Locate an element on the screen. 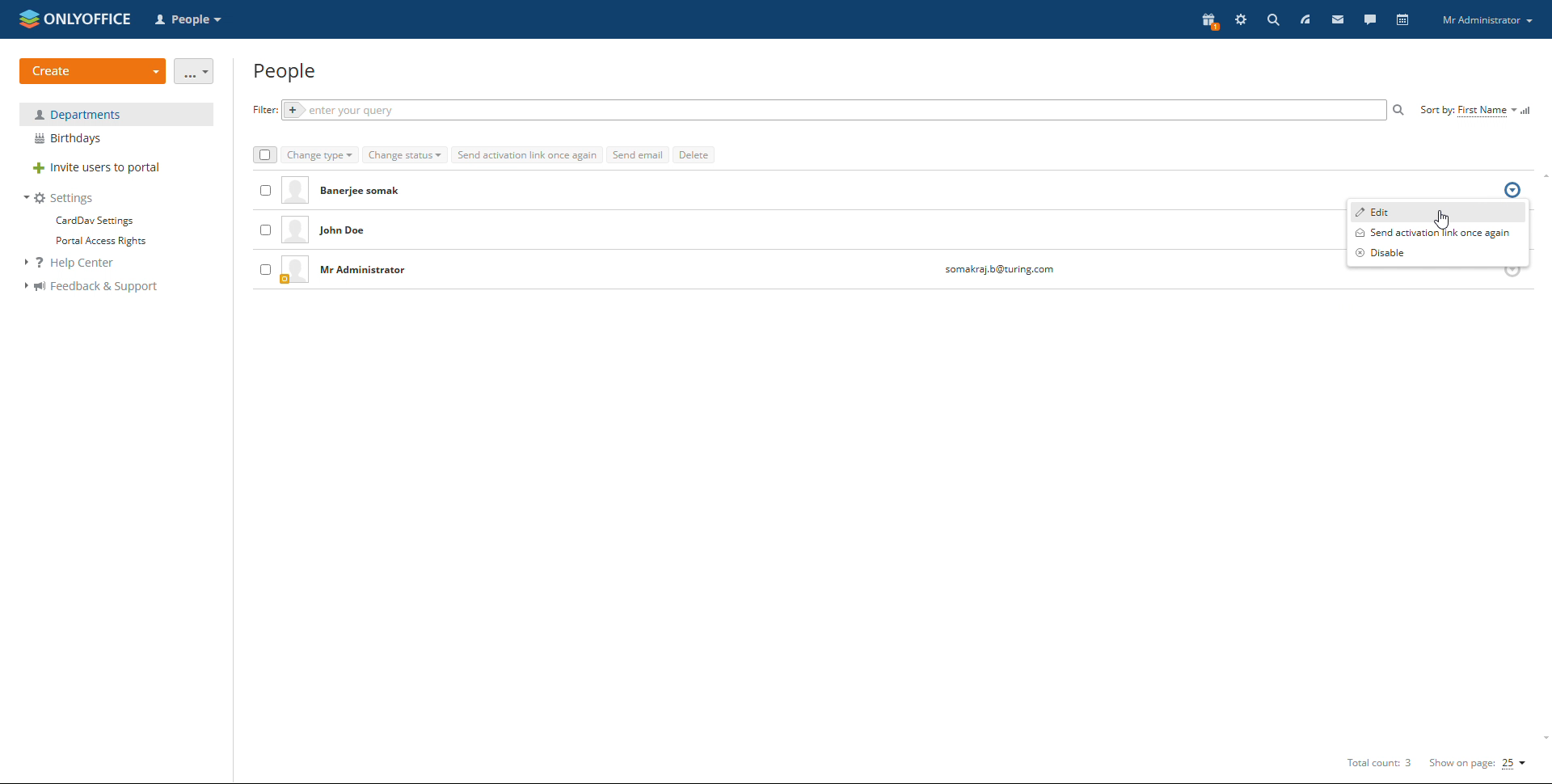 The width and height of the screenshot is (1552, 784). show on page is located at coordinates (1478, 763).